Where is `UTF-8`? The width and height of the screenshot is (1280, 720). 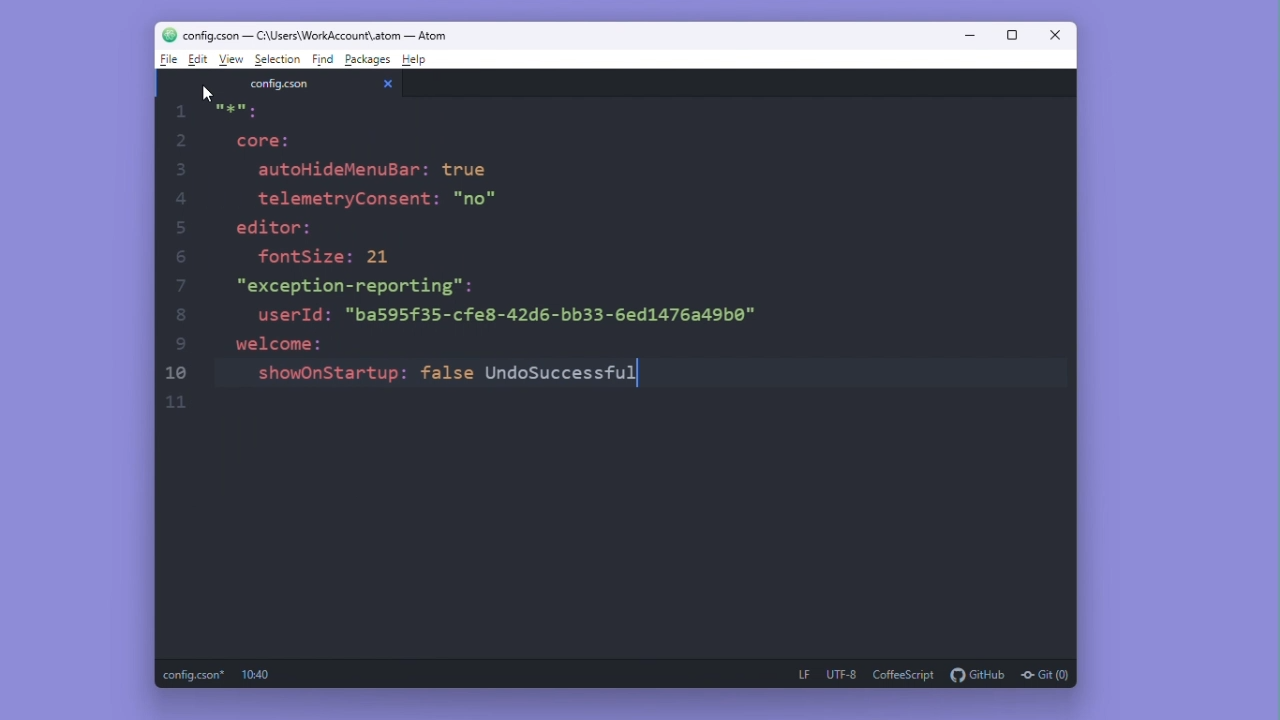 UTF-8 is located at coordinates (841, 675).